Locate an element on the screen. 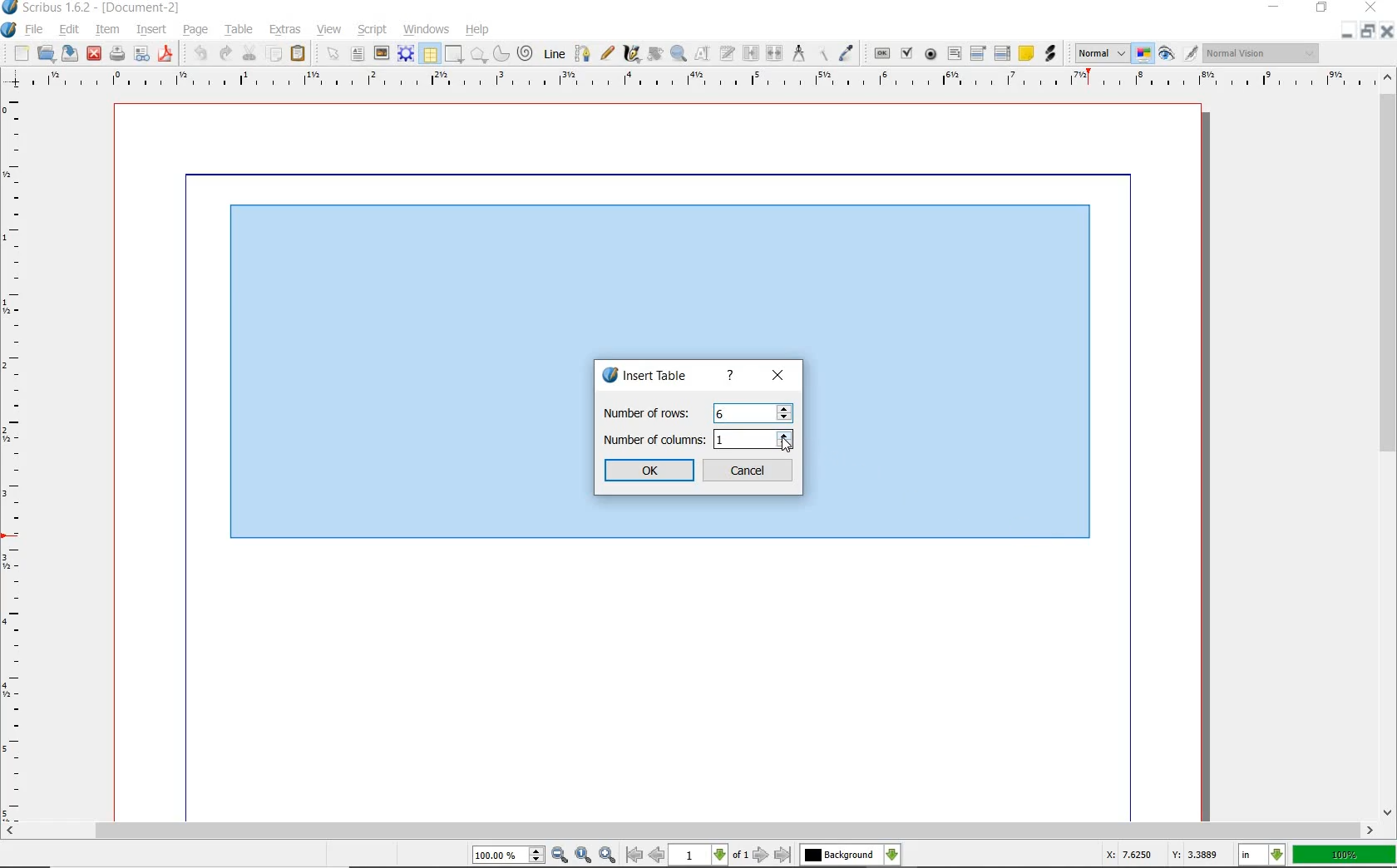 This screenshot has width=1397, height=868. table is located at coordinates (241, 31).